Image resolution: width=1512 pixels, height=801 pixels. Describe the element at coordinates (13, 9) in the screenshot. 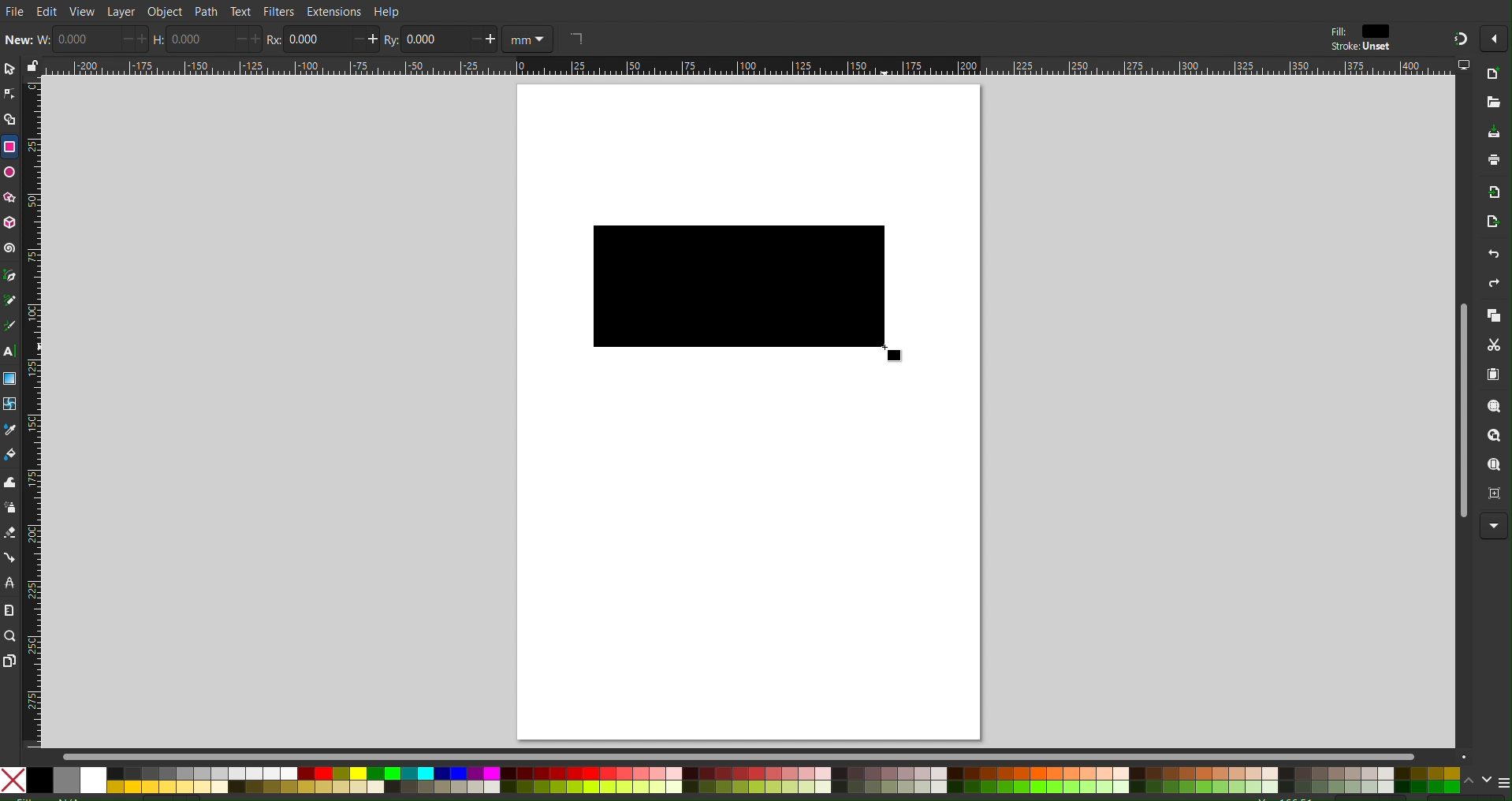

I see `File` at that location.